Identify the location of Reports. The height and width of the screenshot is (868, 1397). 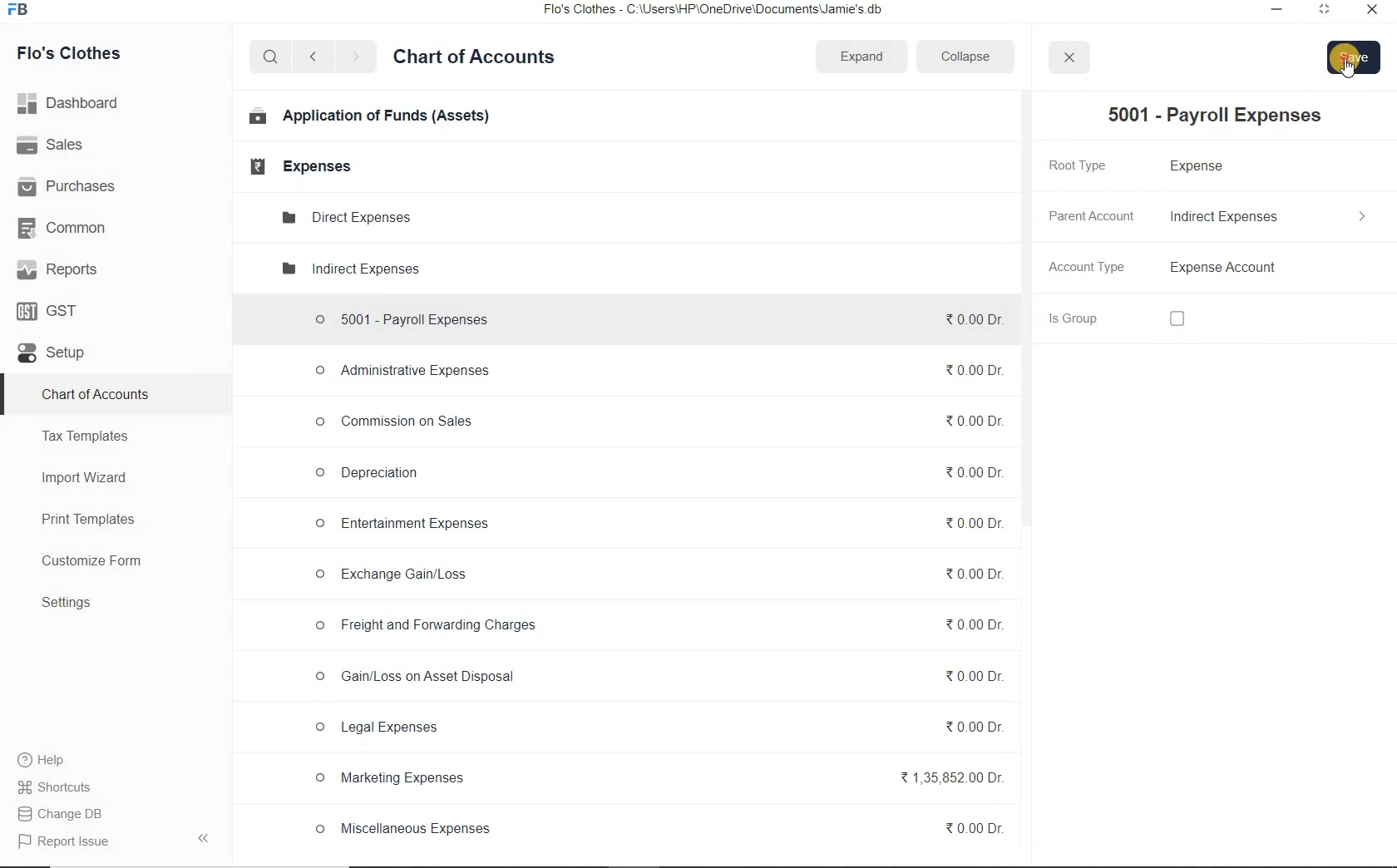
(57, 269).